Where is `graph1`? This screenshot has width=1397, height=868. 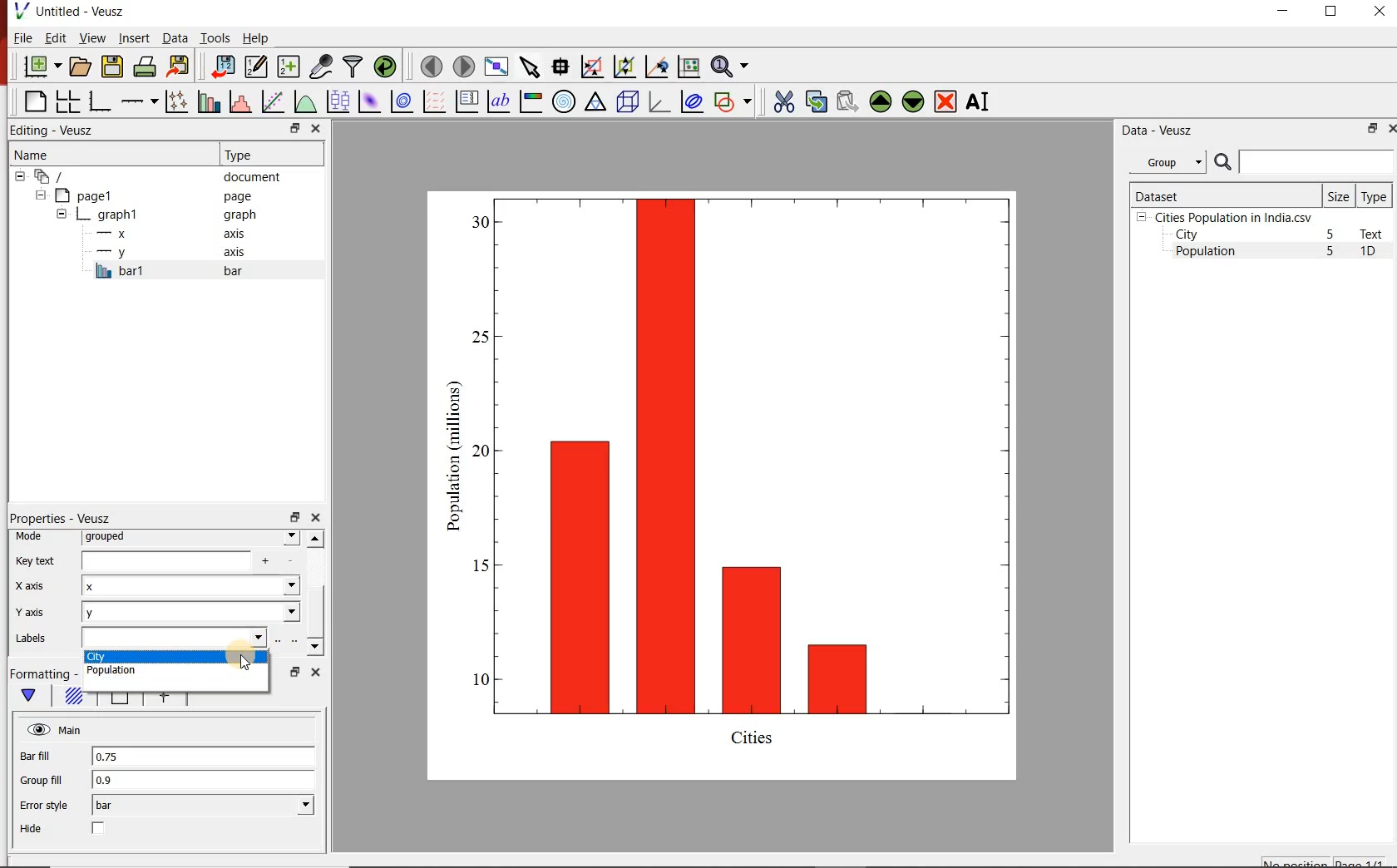
graph1 is located at coordinates (159, 215).